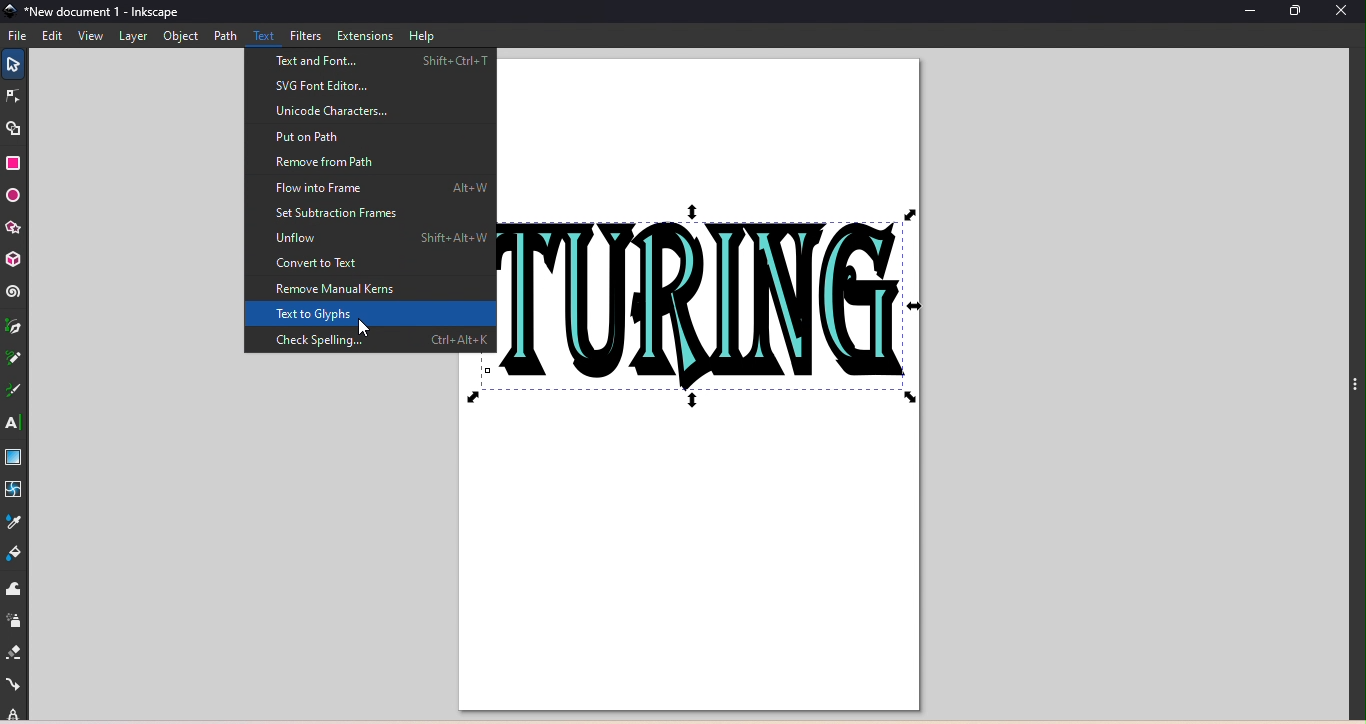  I want to click on Help, so click(421, 36).